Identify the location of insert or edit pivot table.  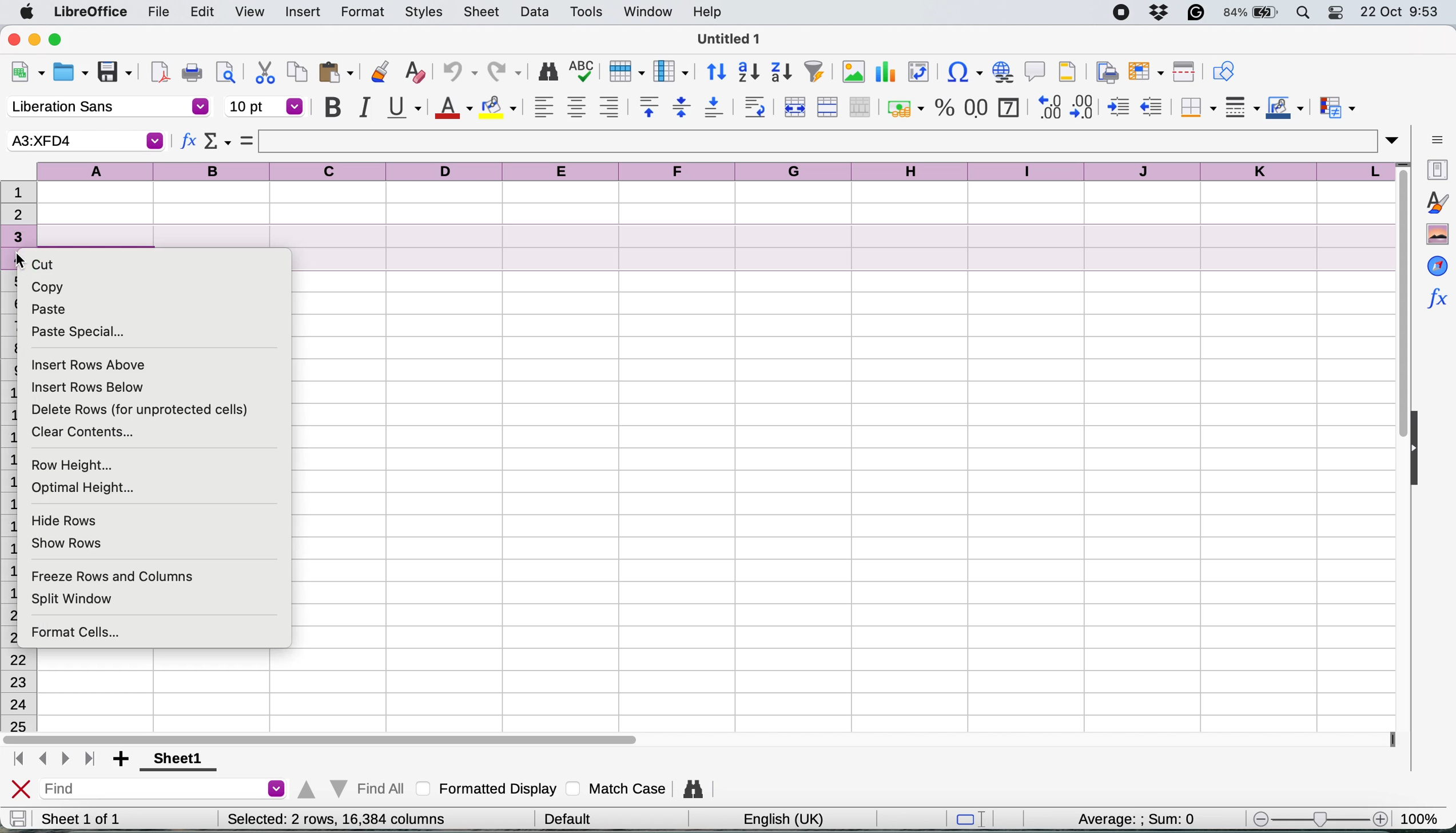
(915, 72).